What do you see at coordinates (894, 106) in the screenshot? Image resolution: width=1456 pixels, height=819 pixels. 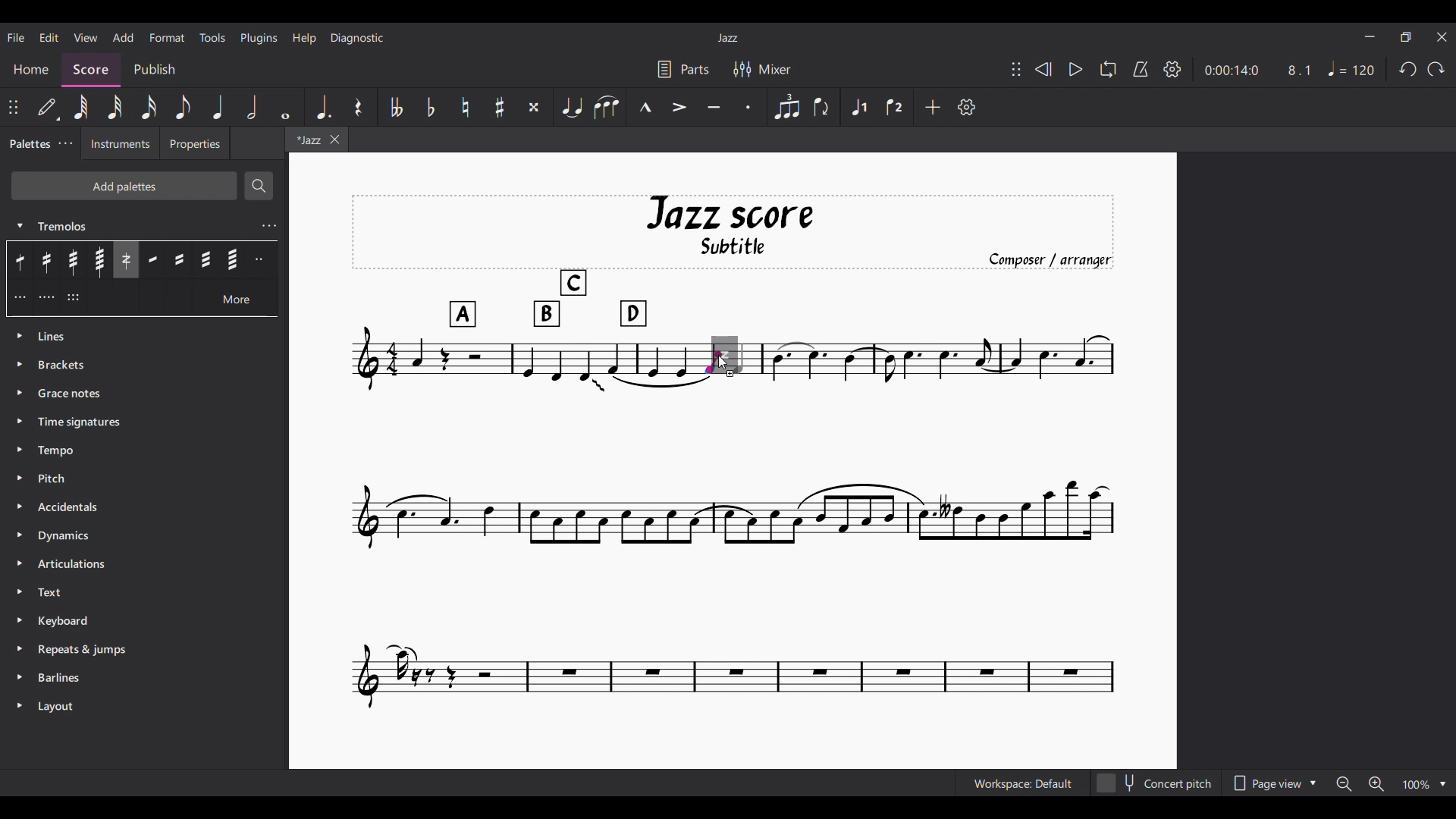 I see `Voice 2` at bounding box center [894, 106].